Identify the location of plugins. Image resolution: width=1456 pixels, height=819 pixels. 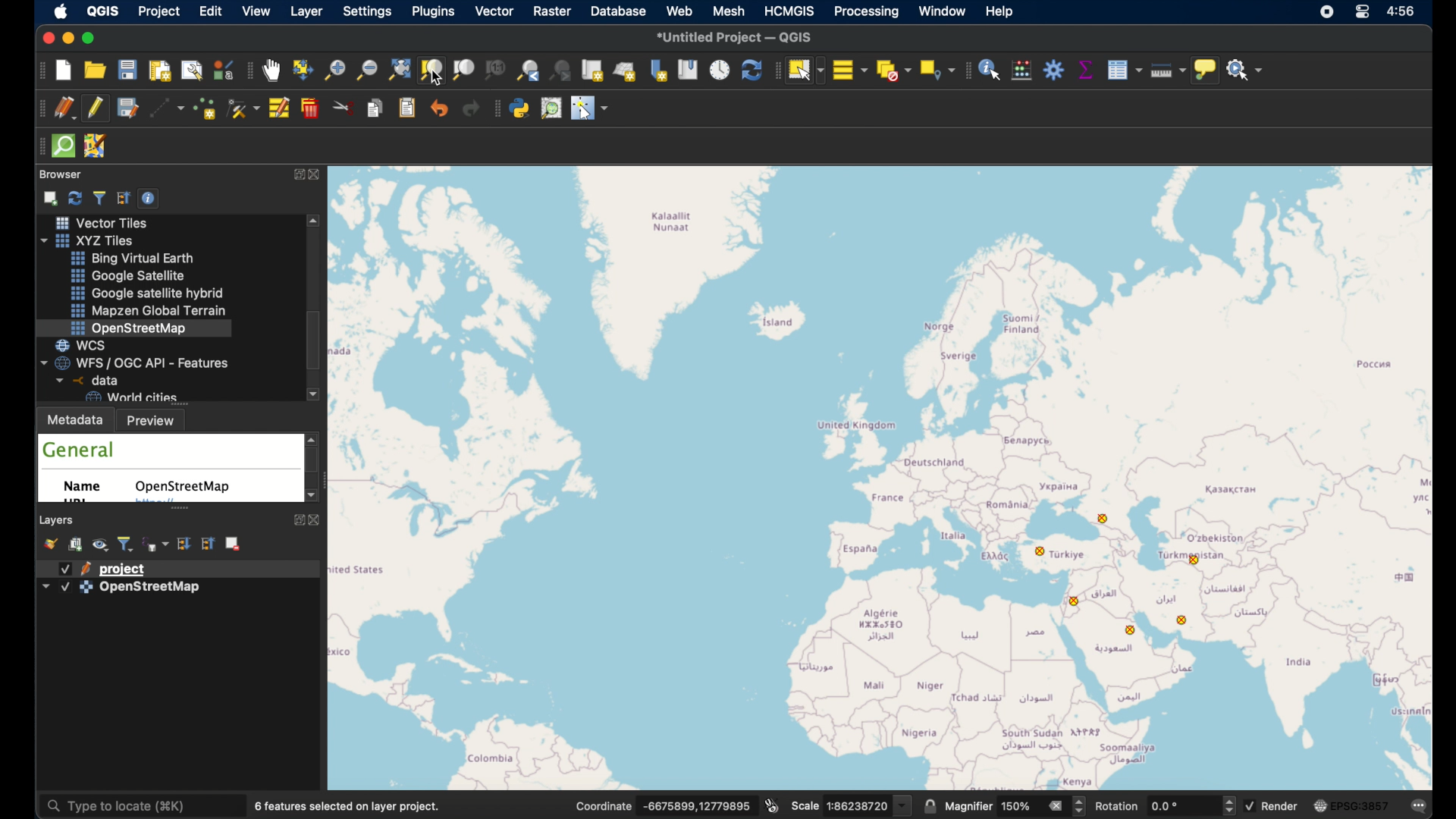
(433, 13).